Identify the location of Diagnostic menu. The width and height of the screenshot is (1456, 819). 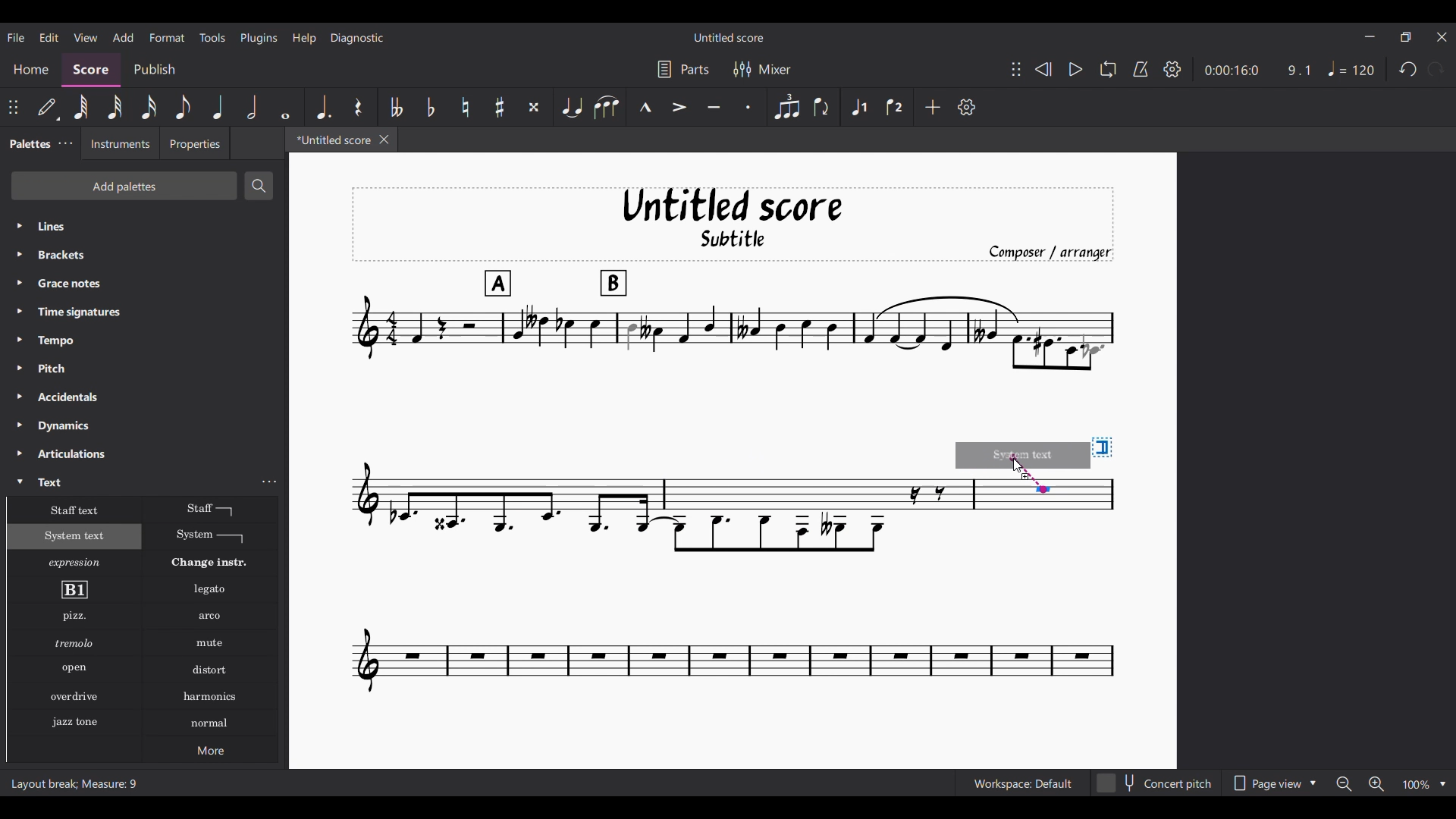
(358, 38).